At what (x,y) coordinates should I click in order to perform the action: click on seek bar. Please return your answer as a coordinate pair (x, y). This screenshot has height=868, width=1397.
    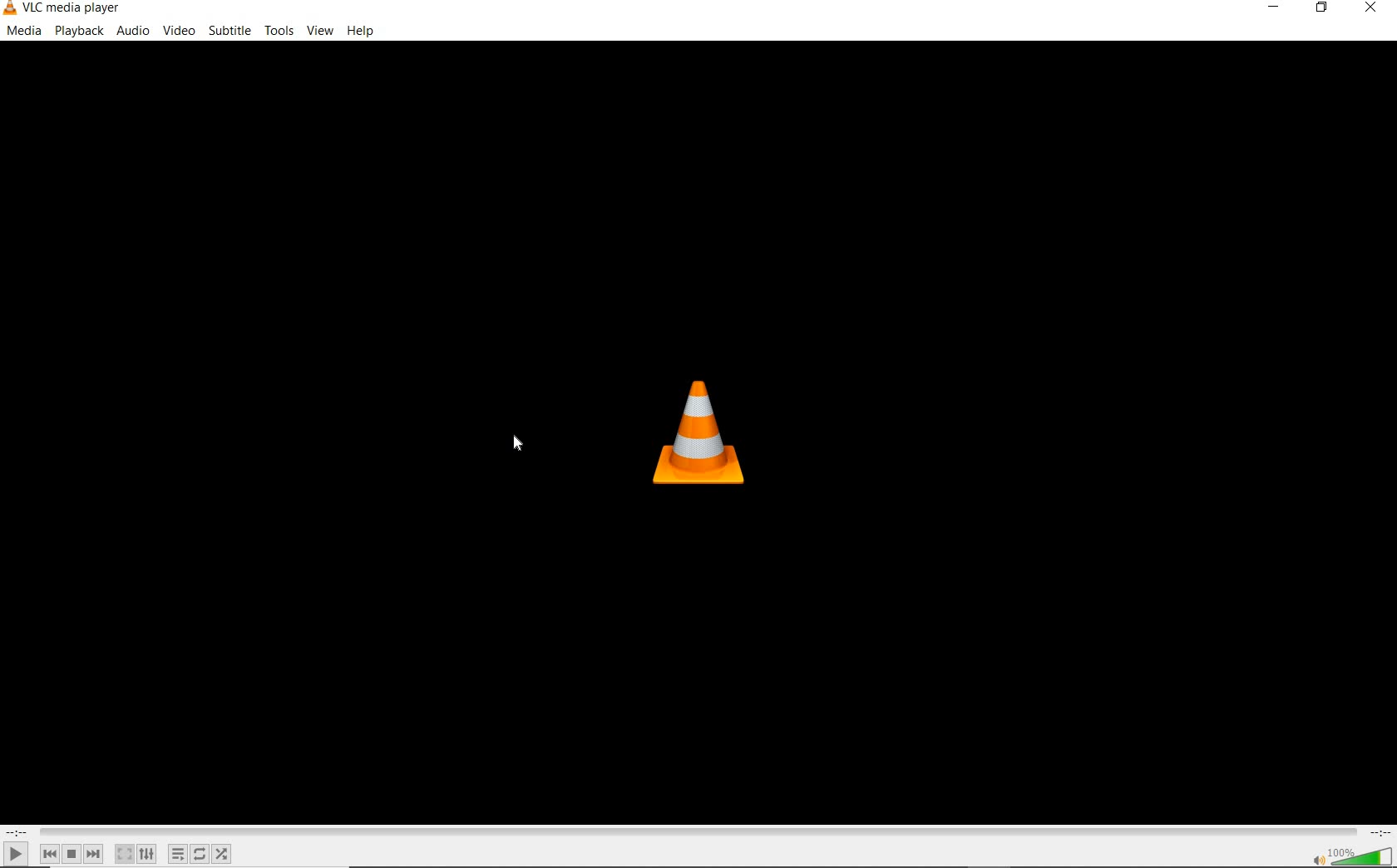
    Looking at the image, I should click on (696, 832).